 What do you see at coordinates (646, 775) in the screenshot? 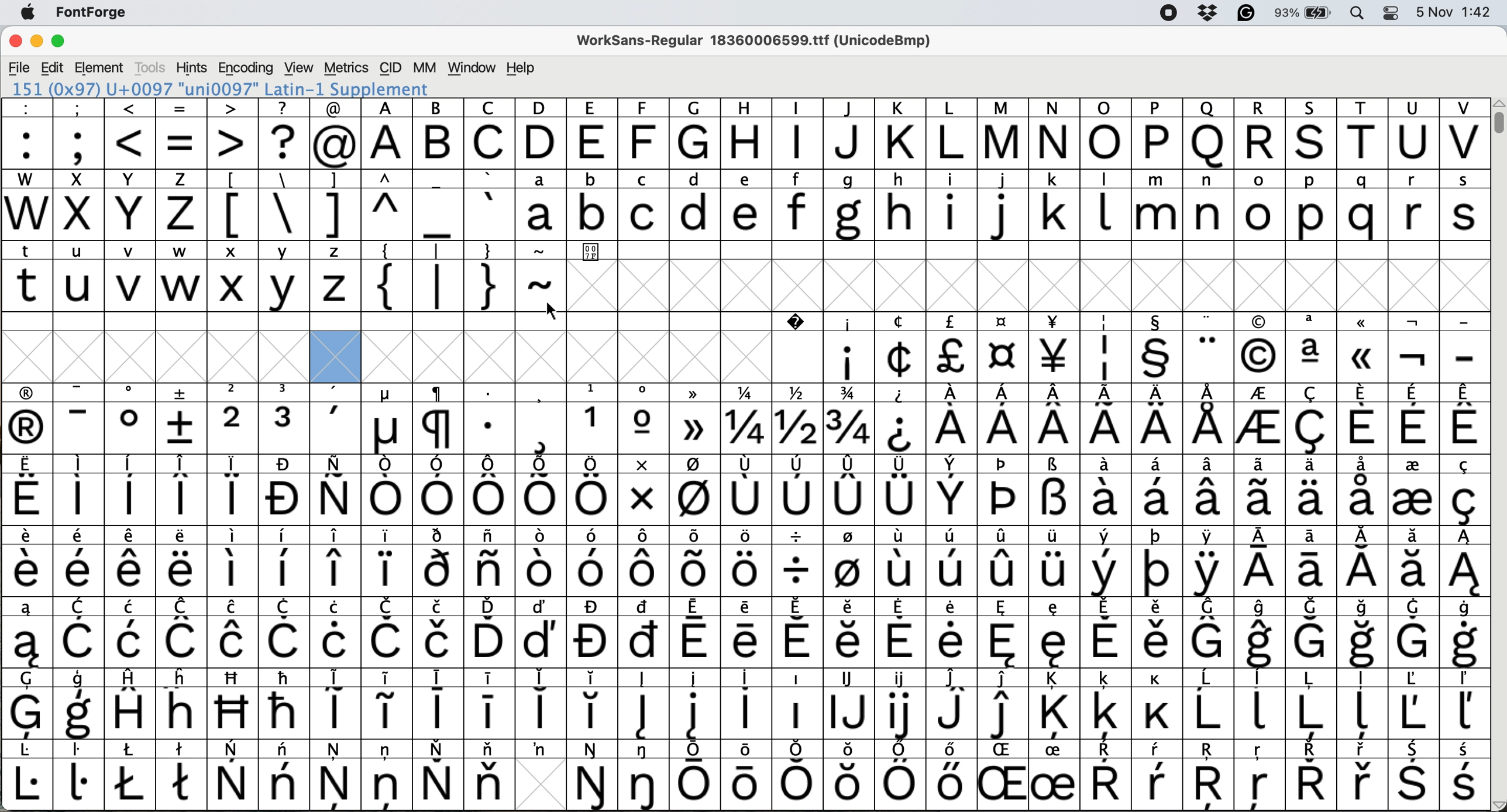
I see `symbol` at bounding box center [646, 775].